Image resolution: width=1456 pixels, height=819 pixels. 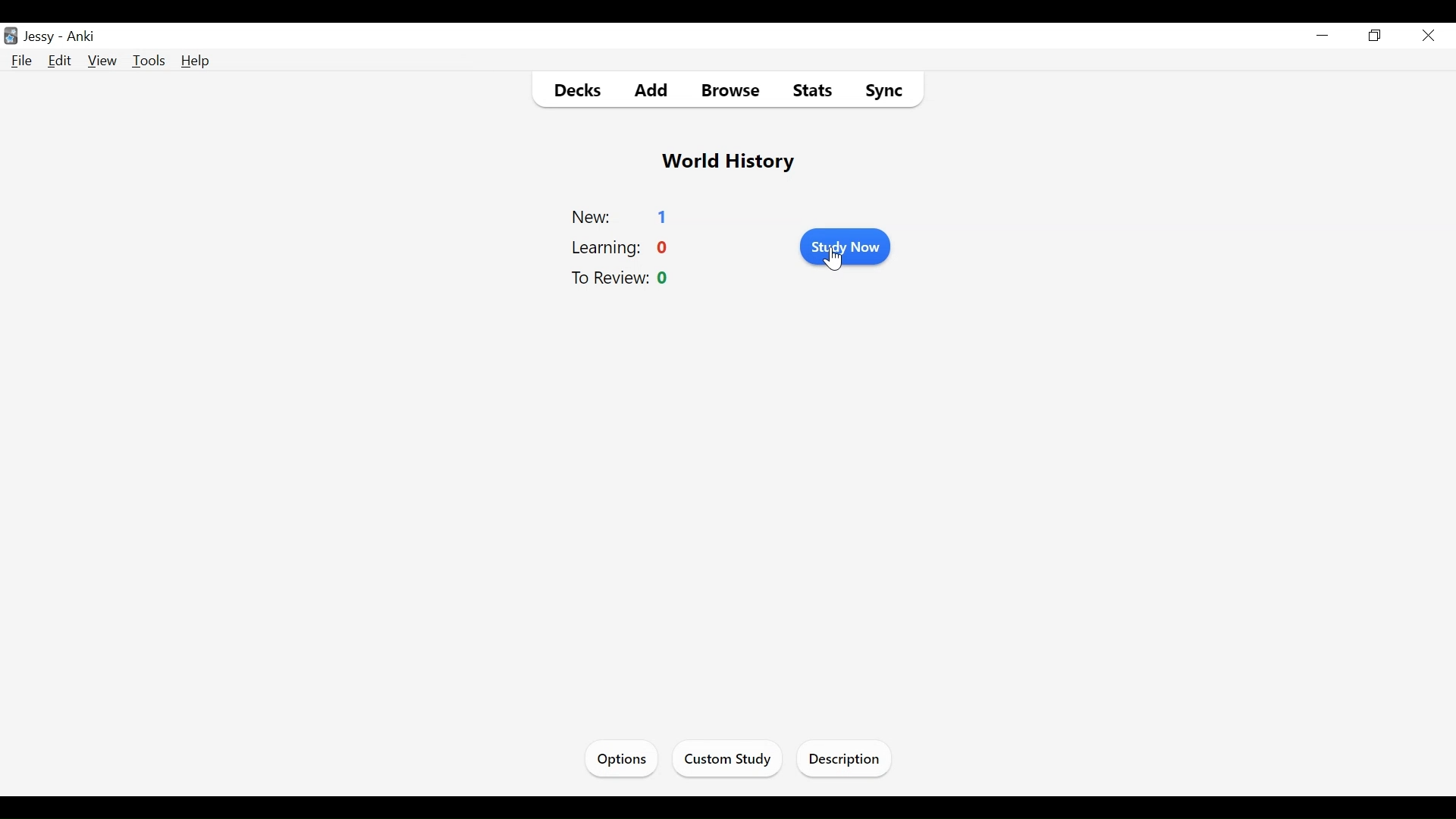 I want to click on New: 01, so click(x=624, y=215).